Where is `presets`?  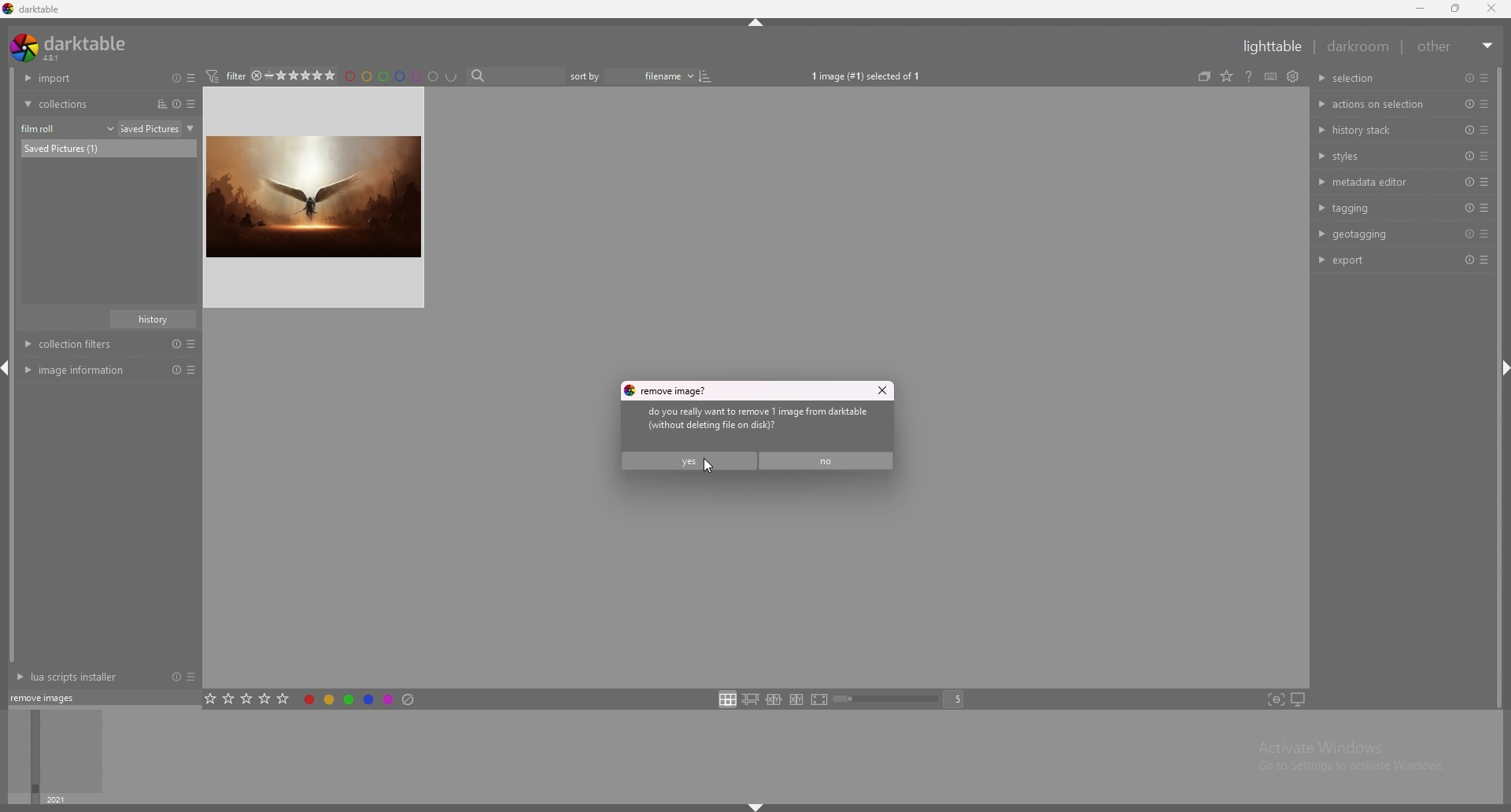 presets is located at coordinates (194, 104).